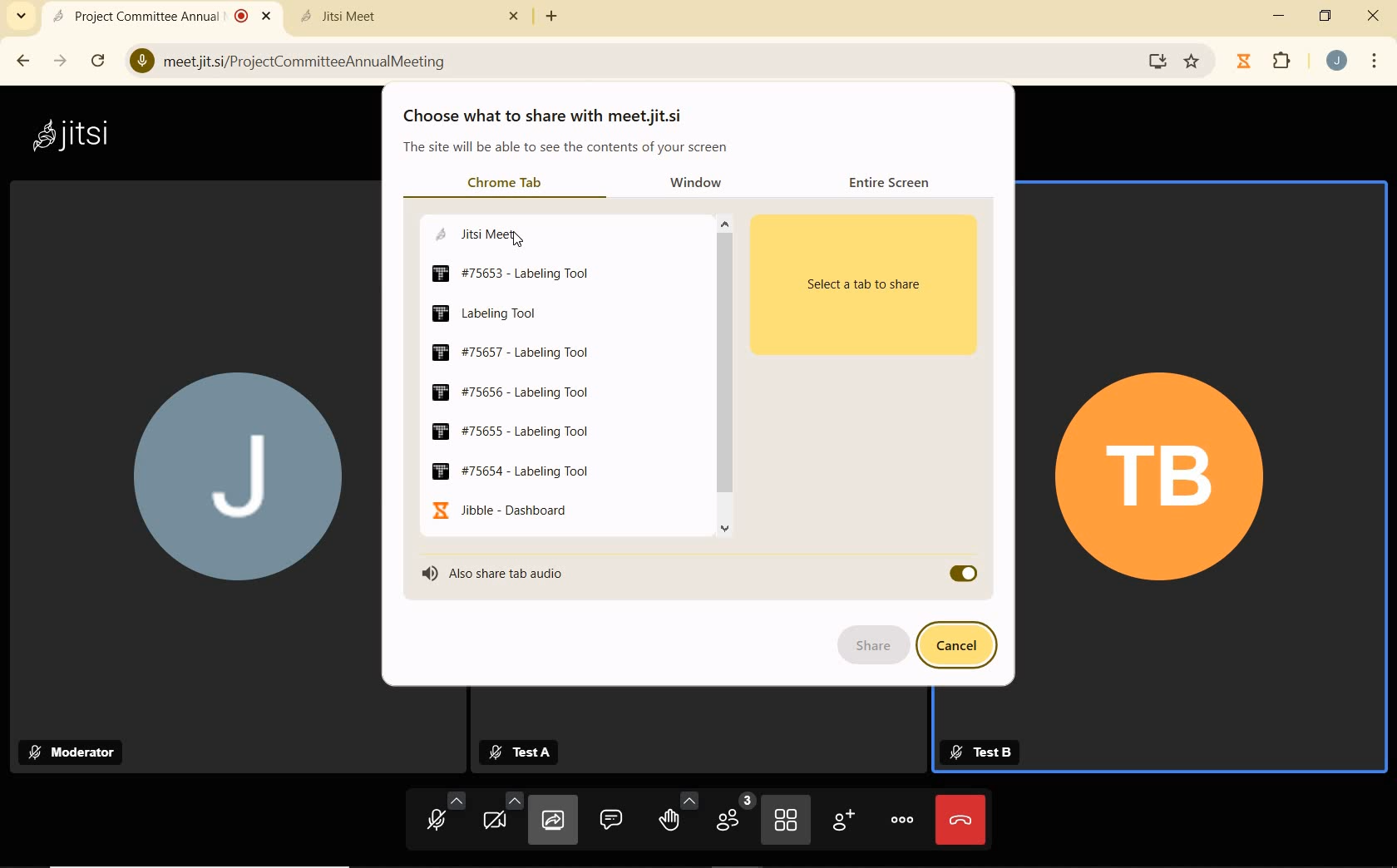 The height and width of the screenshot is (868, 1397). What do you see at coordinates (511, 352) in the screenshot?
I see `#75657 - Labeling Tool` at bounding box center [511, 352].